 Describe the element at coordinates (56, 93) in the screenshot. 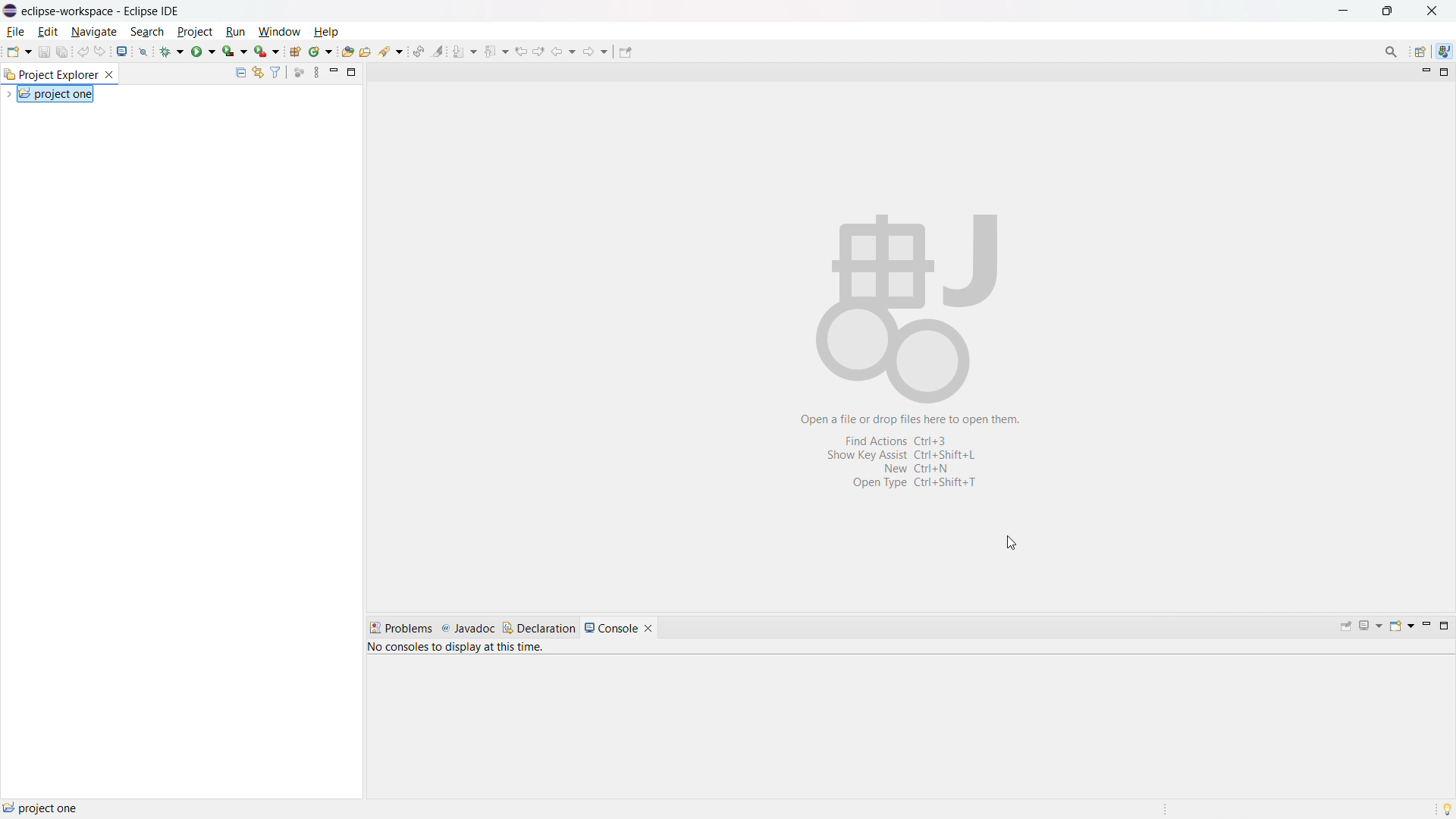

I see `project one` at that location.